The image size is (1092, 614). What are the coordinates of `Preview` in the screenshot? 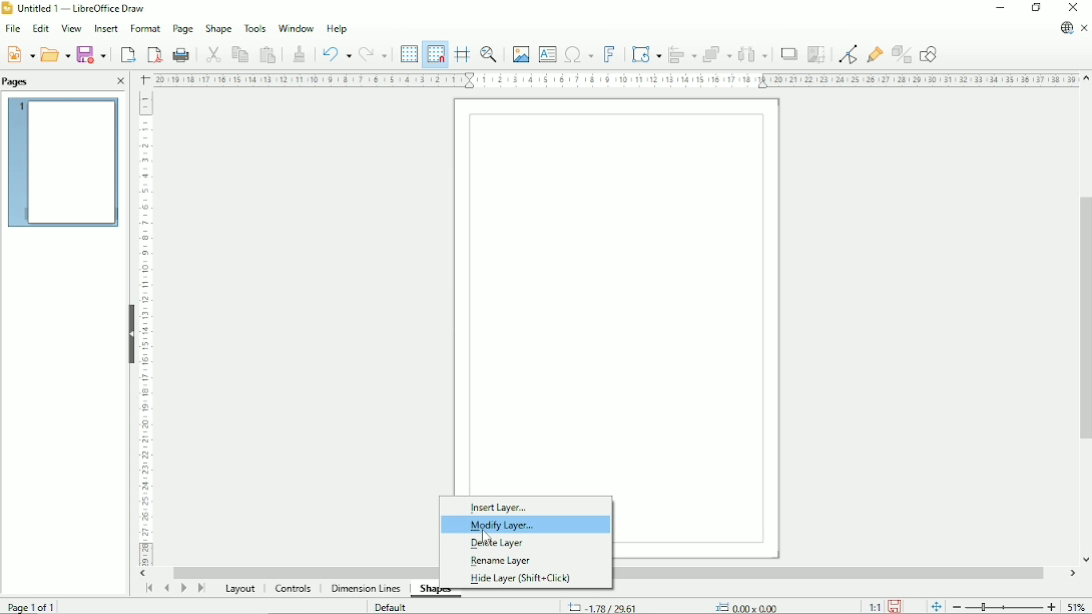 It's located at (62, 164).